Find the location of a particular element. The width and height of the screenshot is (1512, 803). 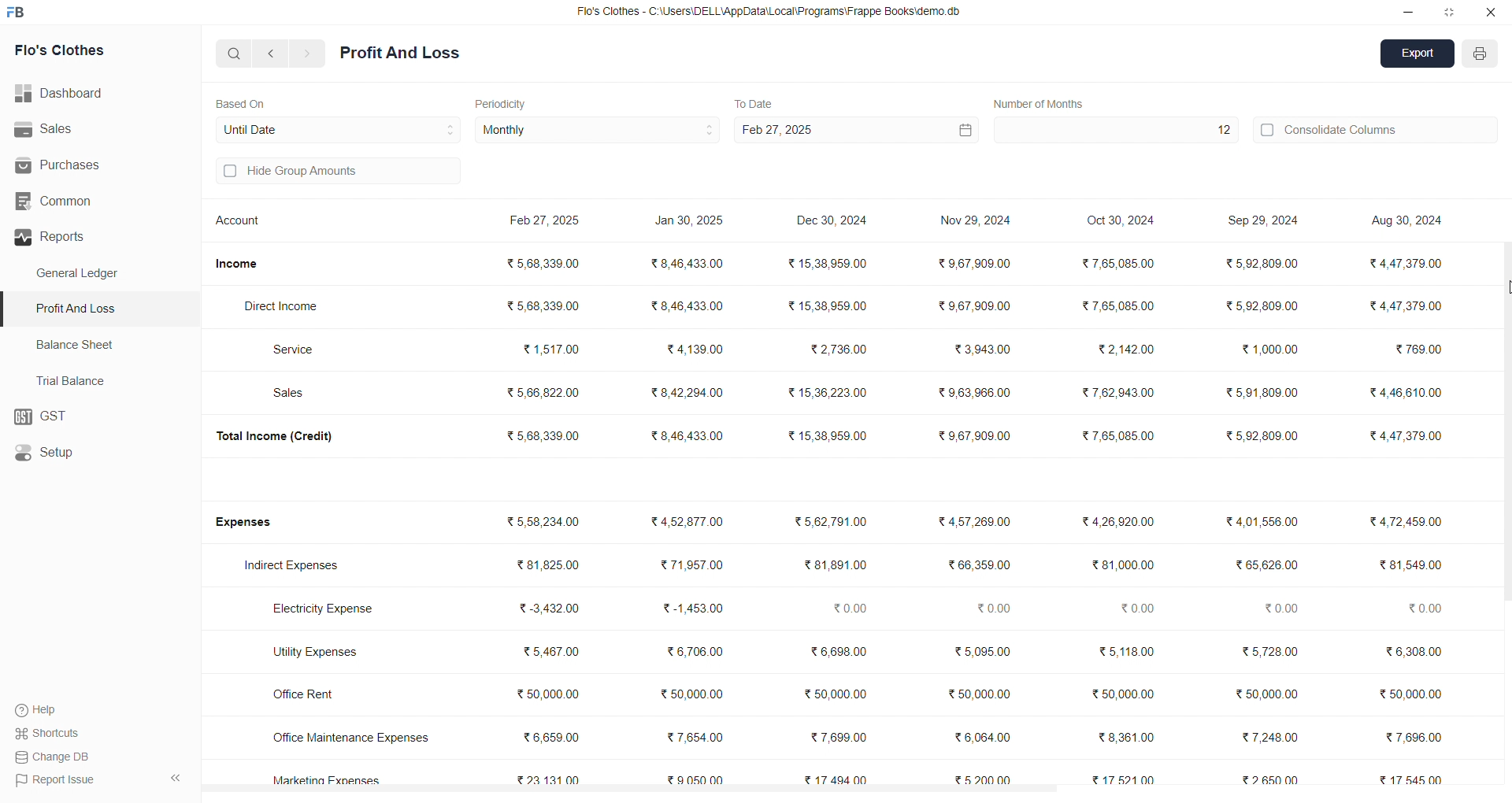

Based On is located at coordinates (244, 102).